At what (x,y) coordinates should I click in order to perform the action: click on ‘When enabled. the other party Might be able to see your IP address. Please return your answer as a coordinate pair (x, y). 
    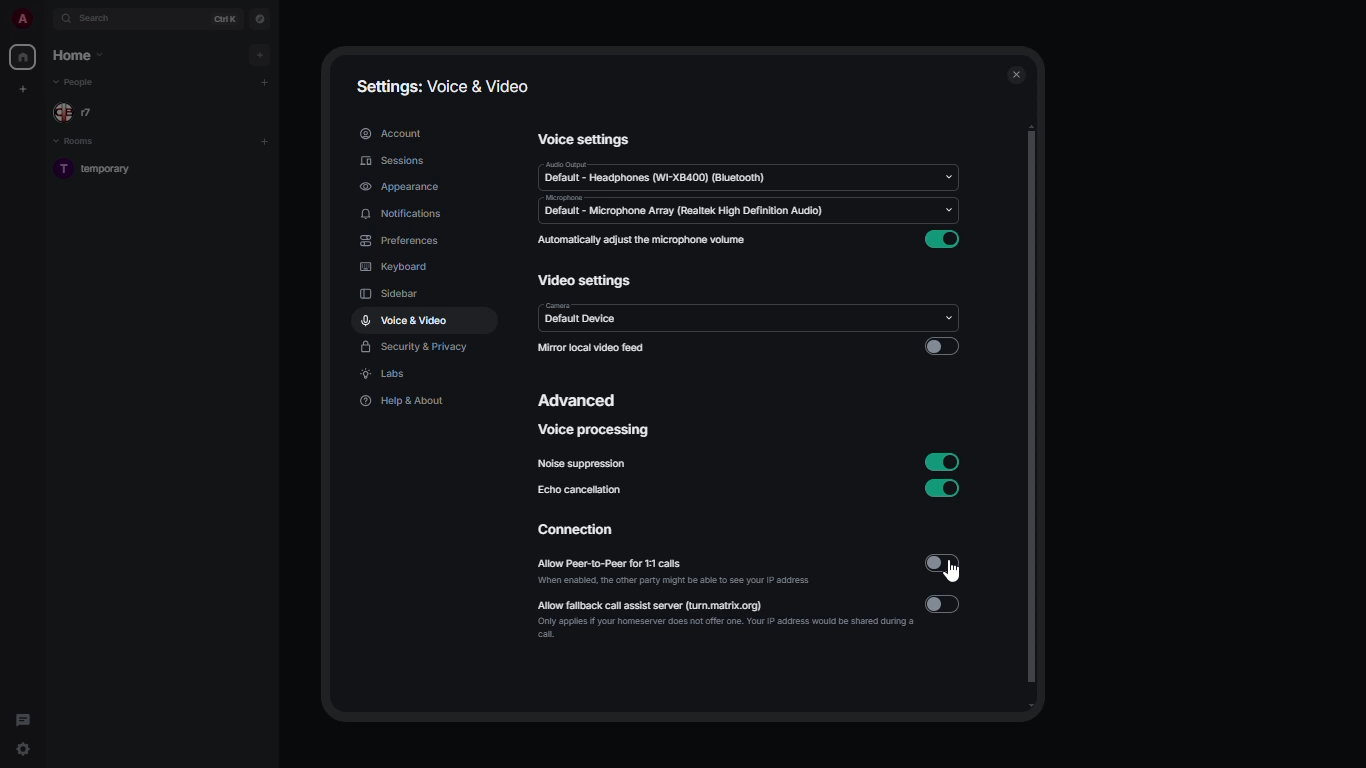
    Looking at the image, I should click on (701, 581).